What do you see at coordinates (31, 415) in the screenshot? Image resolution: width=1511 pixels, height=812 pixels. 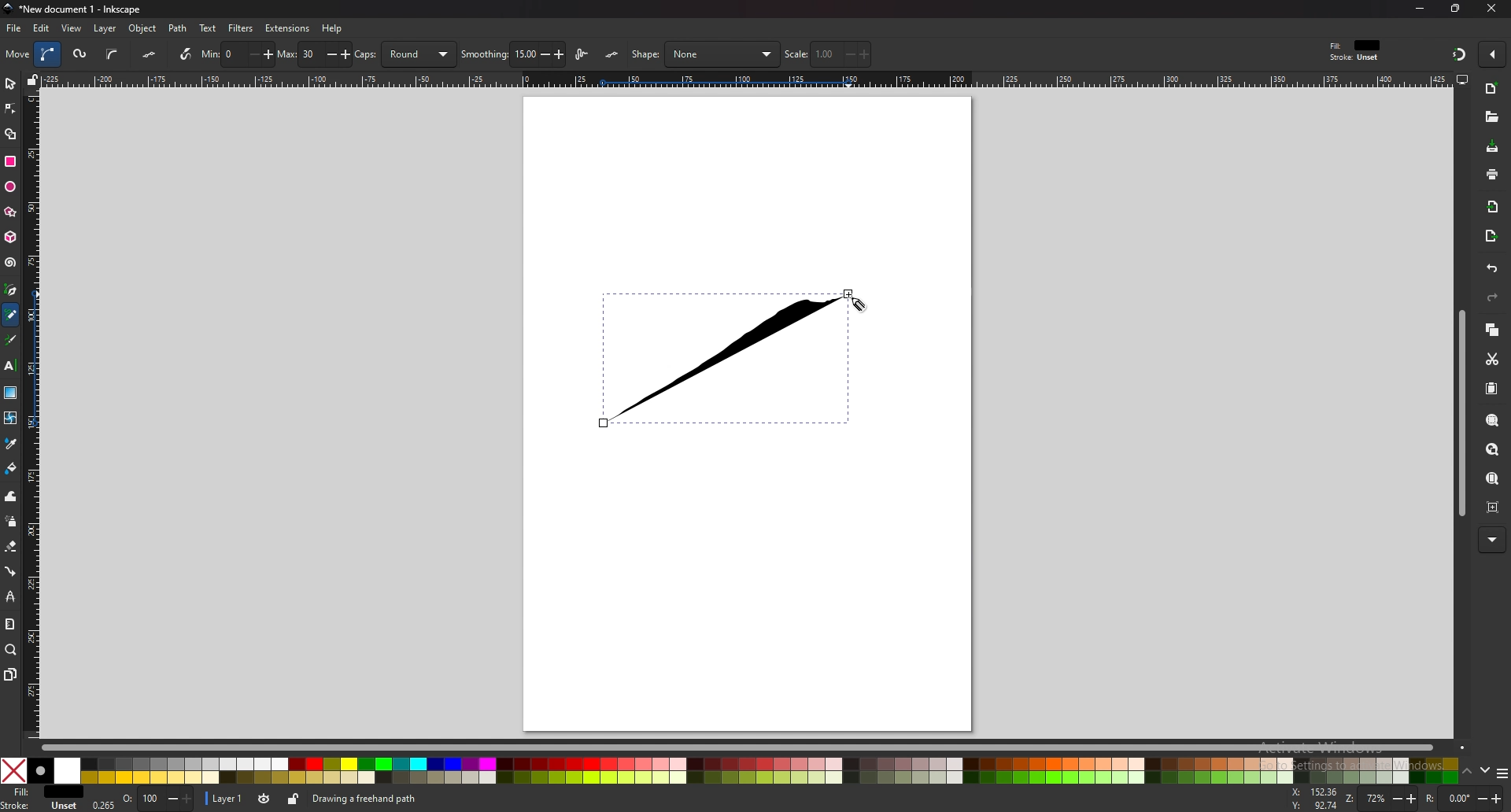 I see `vertical scale` at bounding box center [31, 415].